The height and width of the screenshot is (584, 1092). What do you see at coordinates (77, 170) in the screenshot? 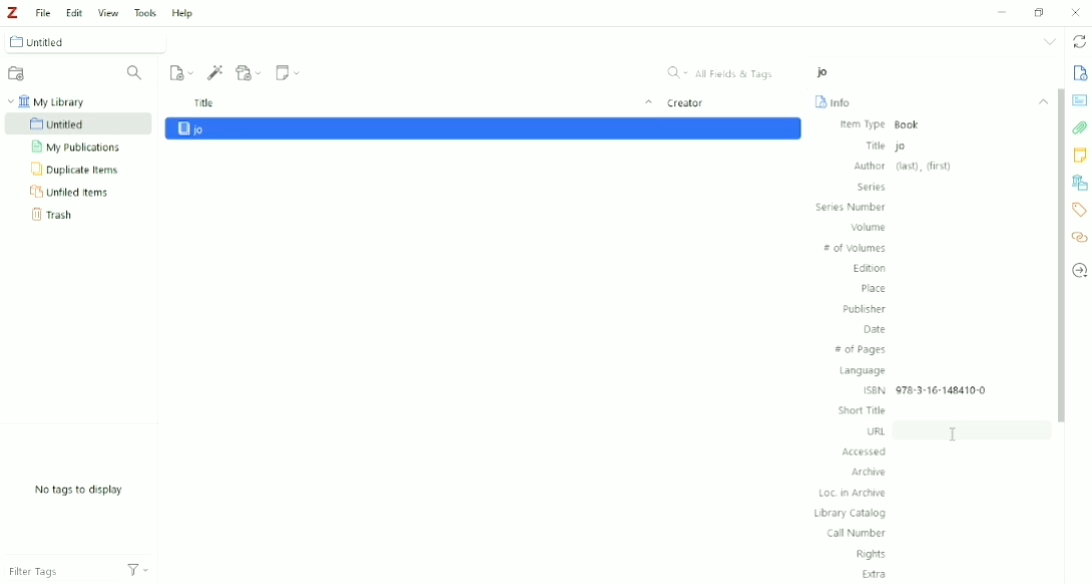
I see `Duplicate Items` at bounding box center [77, 170].